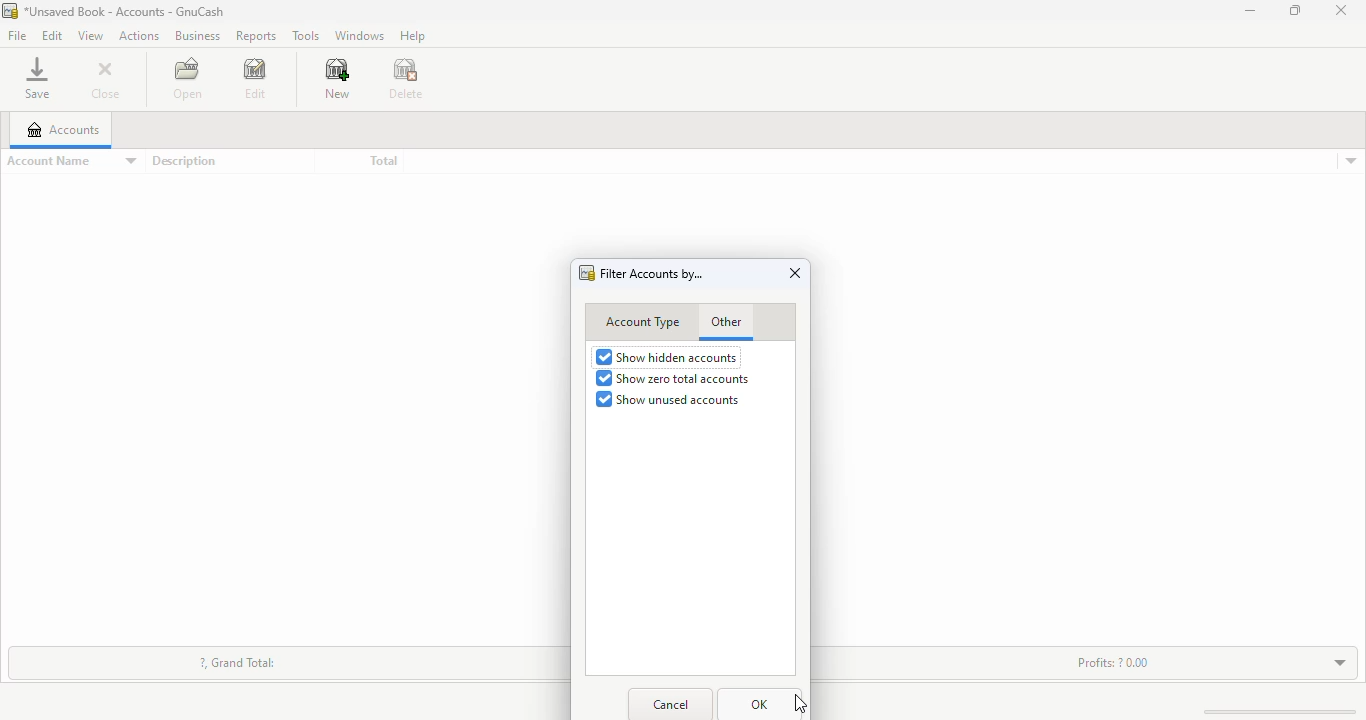 This screenshot has width=1366, height=720. Describe the element at coordinates (668, 399) in the screenshot. I see `show unused accounts` at that location.